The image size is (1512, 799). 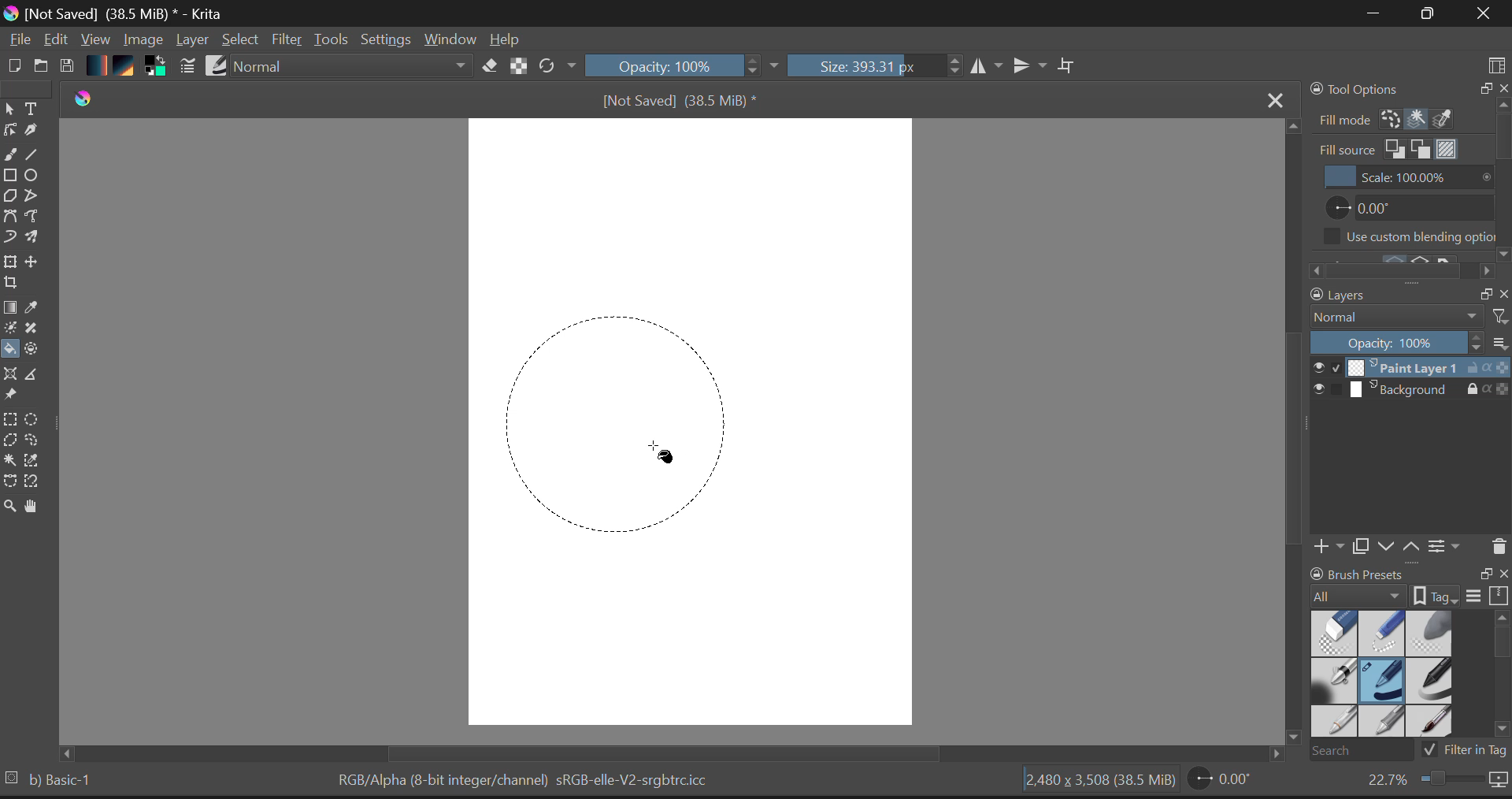 I want to click on Polygon Selection, so click(x=13, y=443).